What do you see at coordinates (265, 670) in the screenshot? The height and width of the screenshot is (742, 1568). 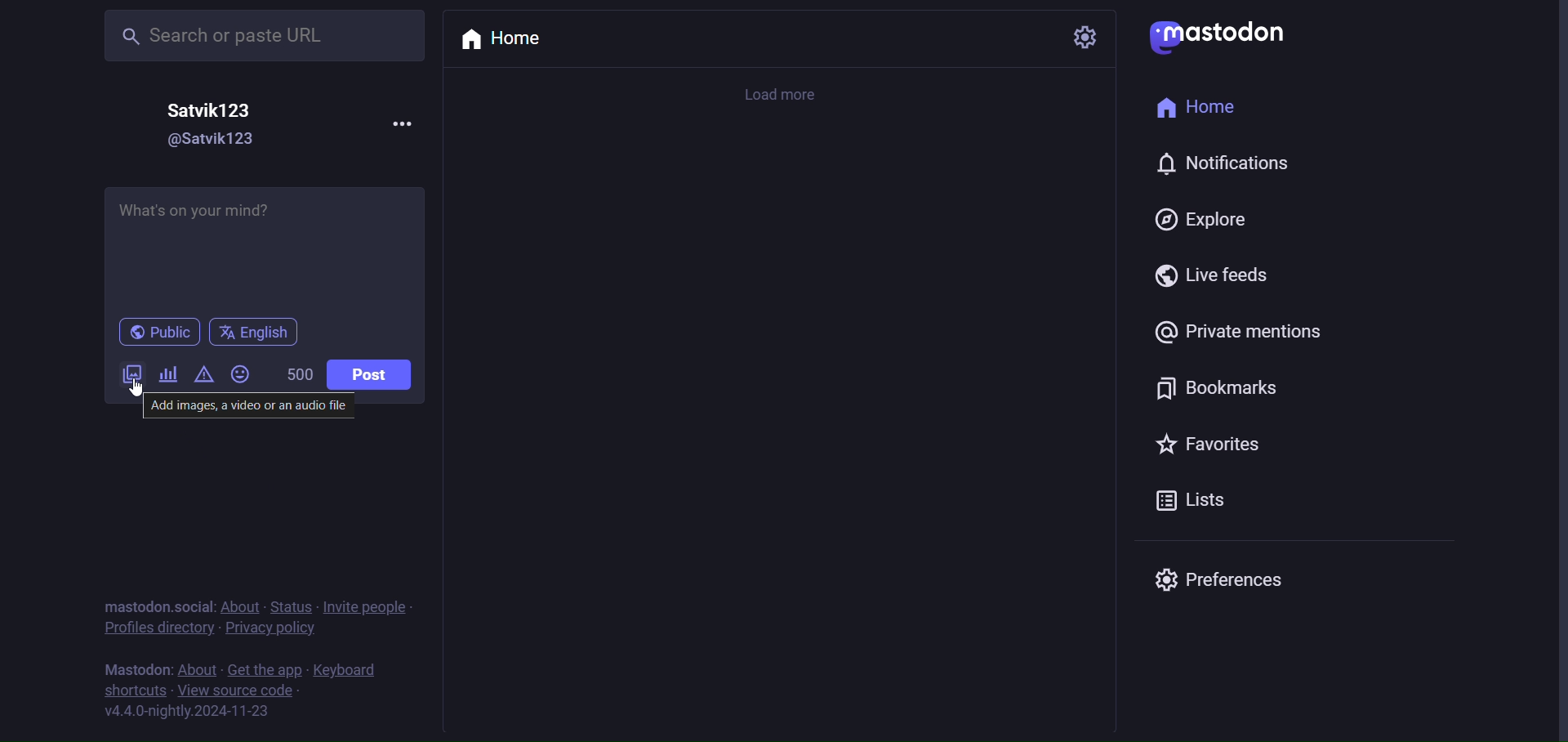 I see `get the app` at bounding box center [265, 670].